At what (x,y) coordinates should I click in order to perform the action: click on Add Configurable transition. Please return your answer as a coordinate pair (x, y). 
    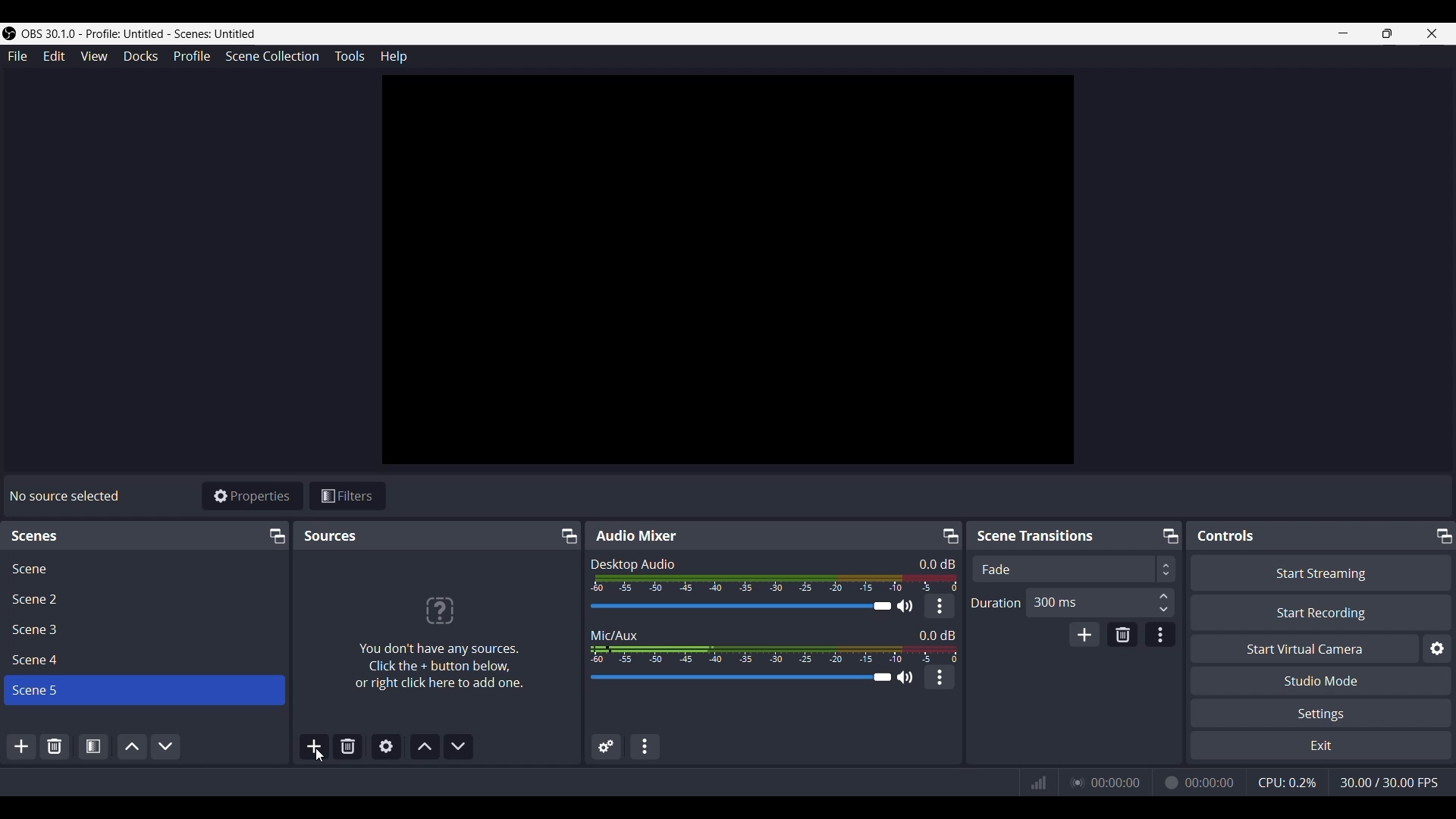
    Looking at the image, I should click on (1084, 634).